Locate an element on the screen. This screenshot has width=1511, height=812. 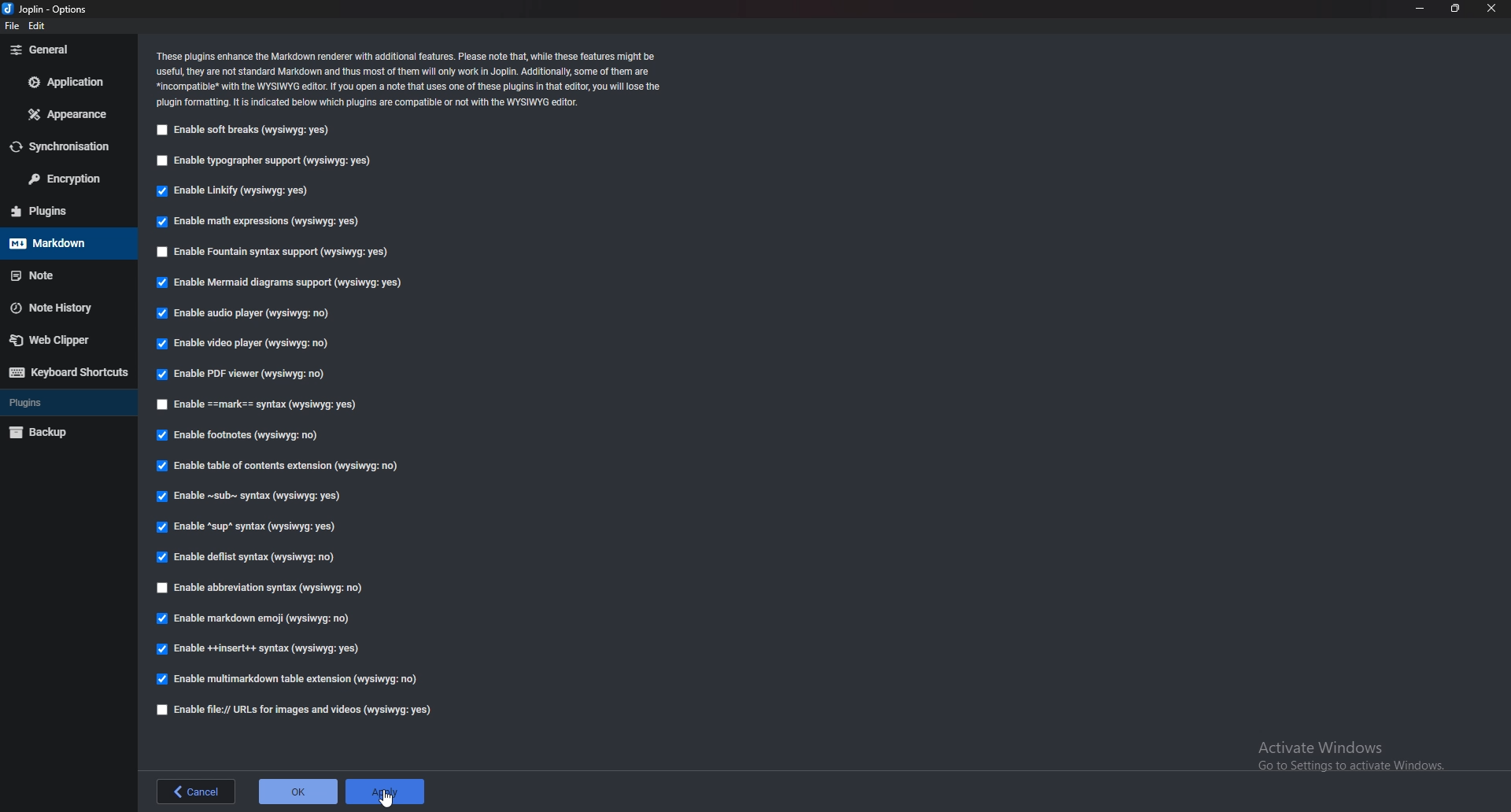
Enable mermaid diagrams is located at coordinates (281, 283).